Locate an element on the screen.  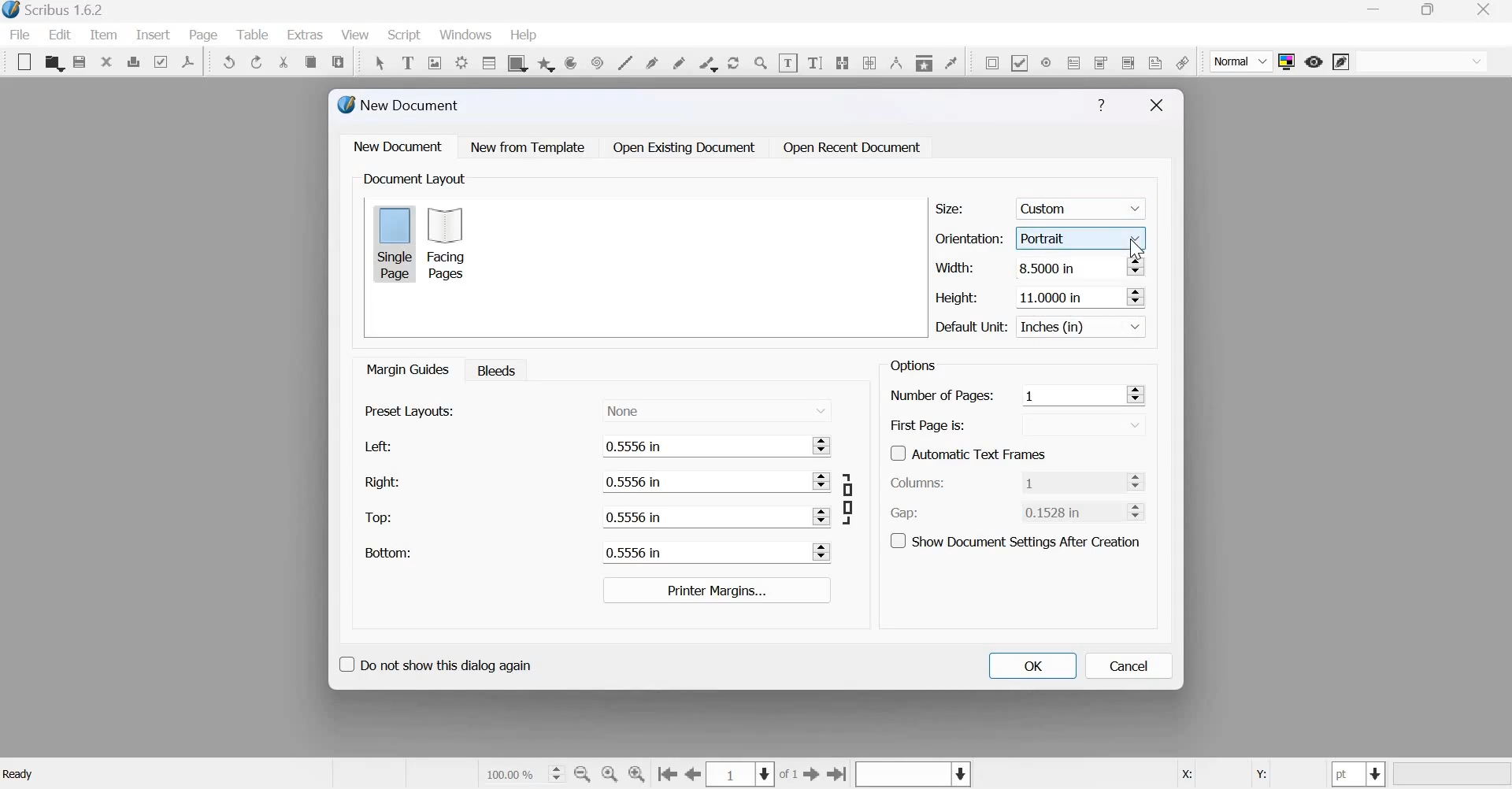
Undo is located at coordinates (230, 62).